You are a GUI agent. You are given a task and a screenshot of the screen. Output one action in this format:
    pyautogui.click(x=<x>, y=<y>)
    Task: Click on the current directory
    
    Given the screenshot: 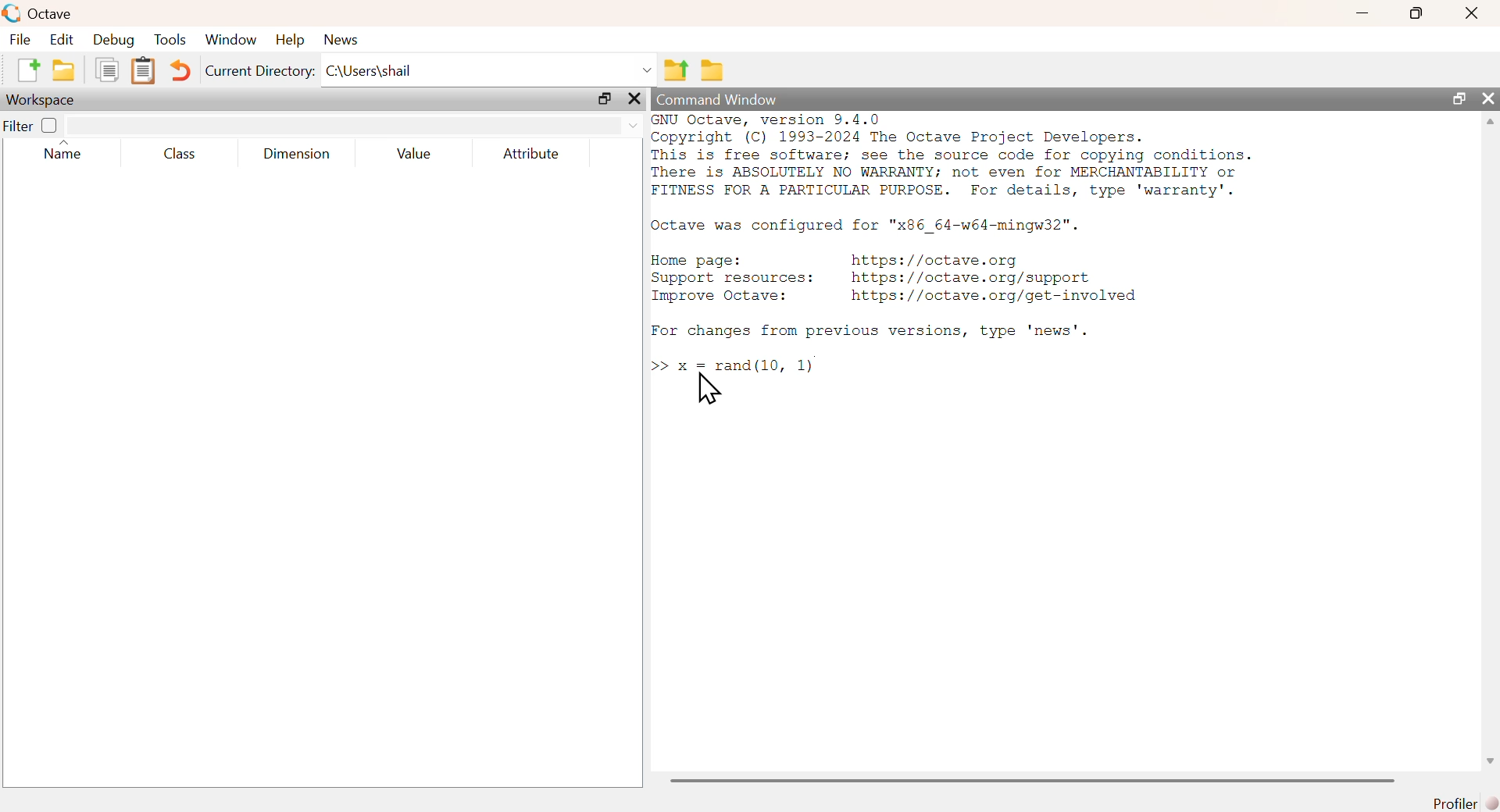 What is the action you would take?
    pyautogui.click(x=261, y=72)
    